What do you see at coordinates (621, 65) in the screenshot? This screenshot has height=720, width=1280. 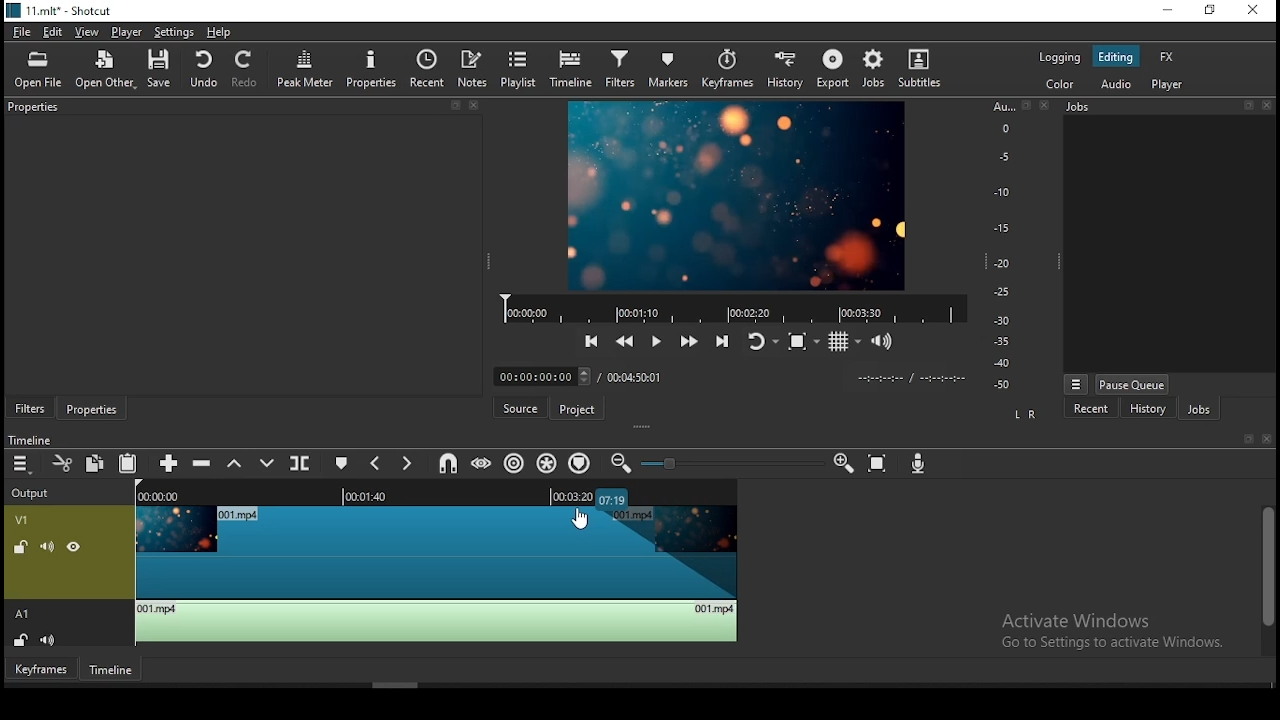 I see `filters` at bounding box center [621, 65].